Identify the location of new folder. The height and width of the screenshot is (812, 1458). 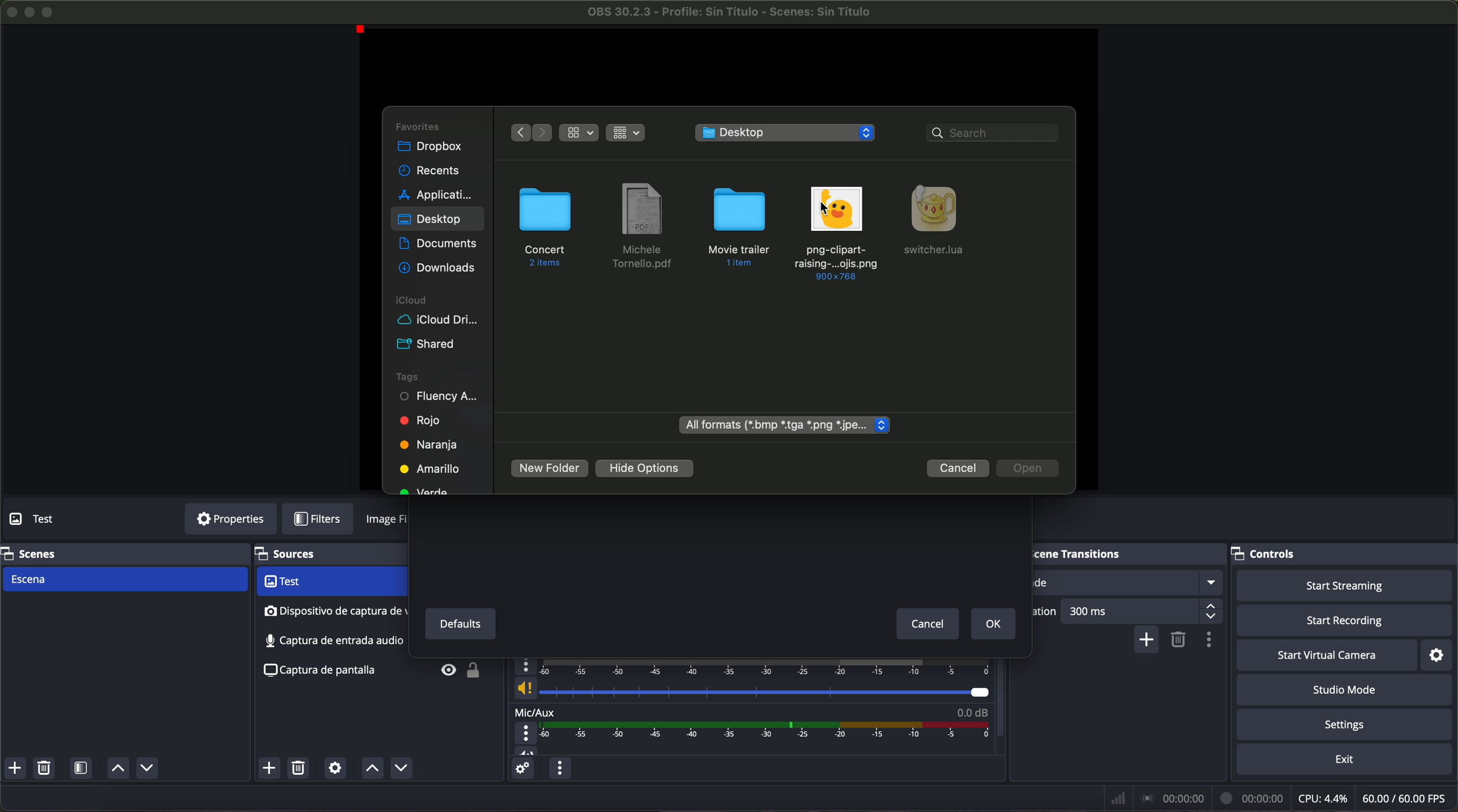
(550, 469).